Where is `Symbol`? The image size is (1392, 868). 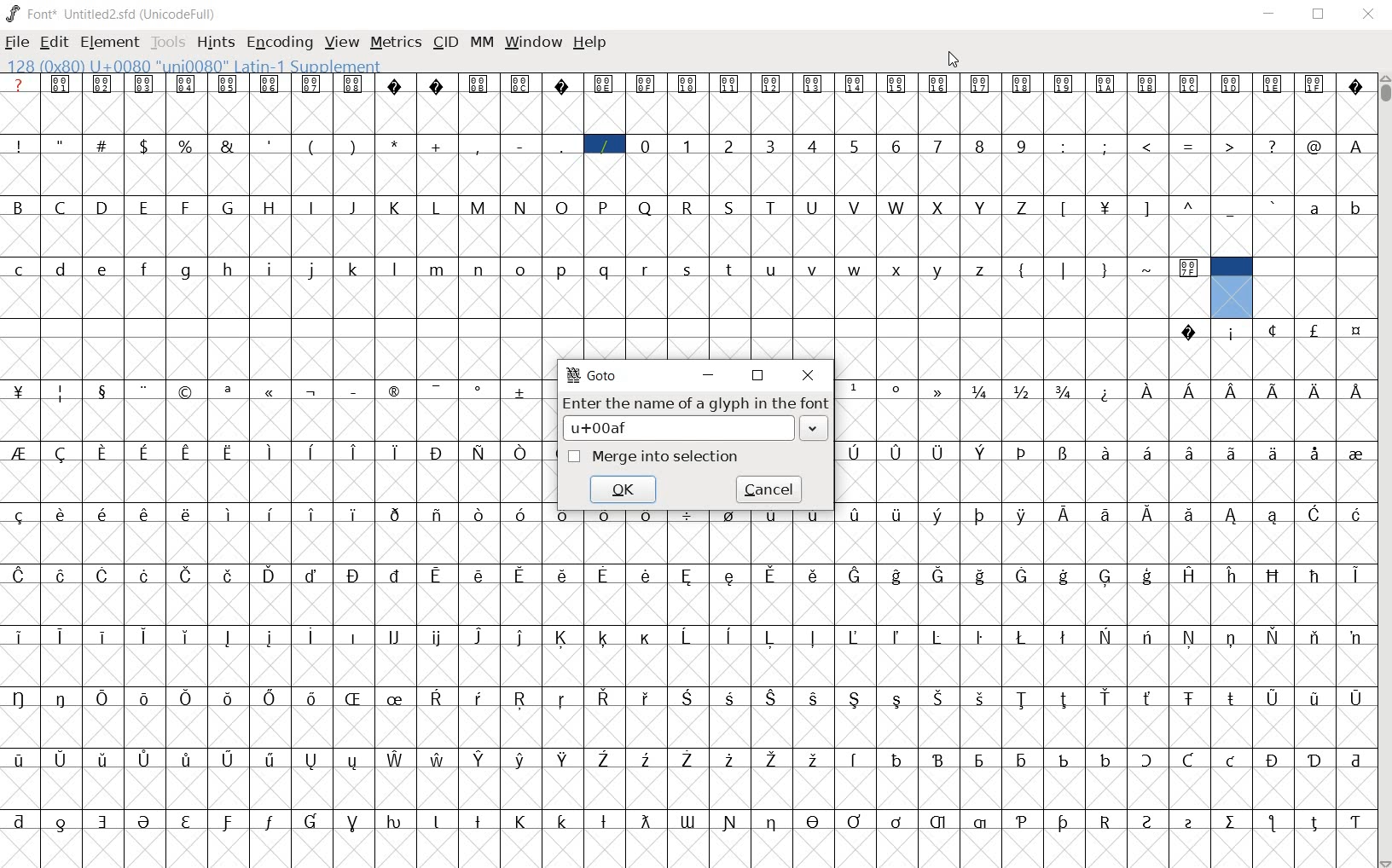 Symbol is located at coordinates (1107, 453).